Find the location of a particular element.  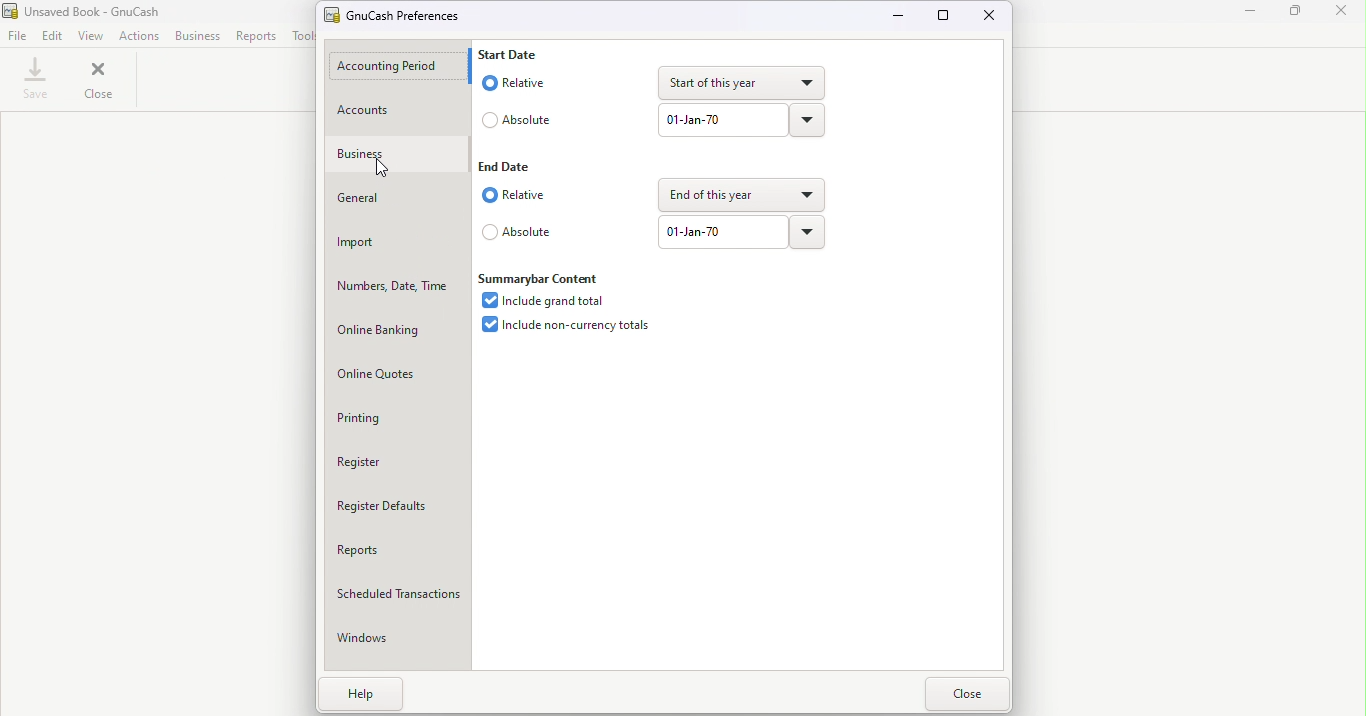

Numbers, Date, Time is located at coordinates (398, 288).